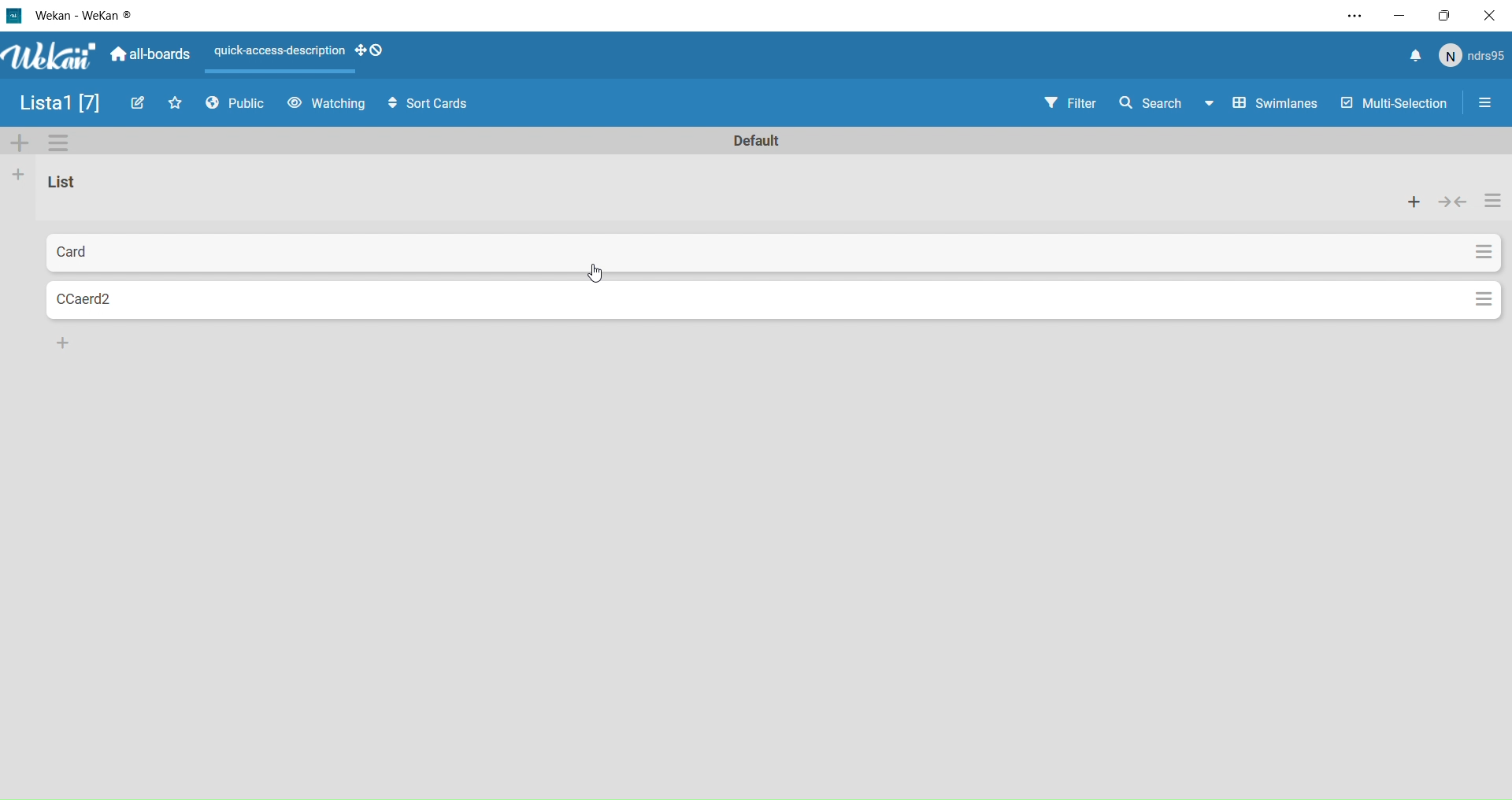 This screenshot has width=1512, height=800. What do you see at coordinates (69, 341) in the screenshot?
I see `Add` at bounding box center [69, 341].